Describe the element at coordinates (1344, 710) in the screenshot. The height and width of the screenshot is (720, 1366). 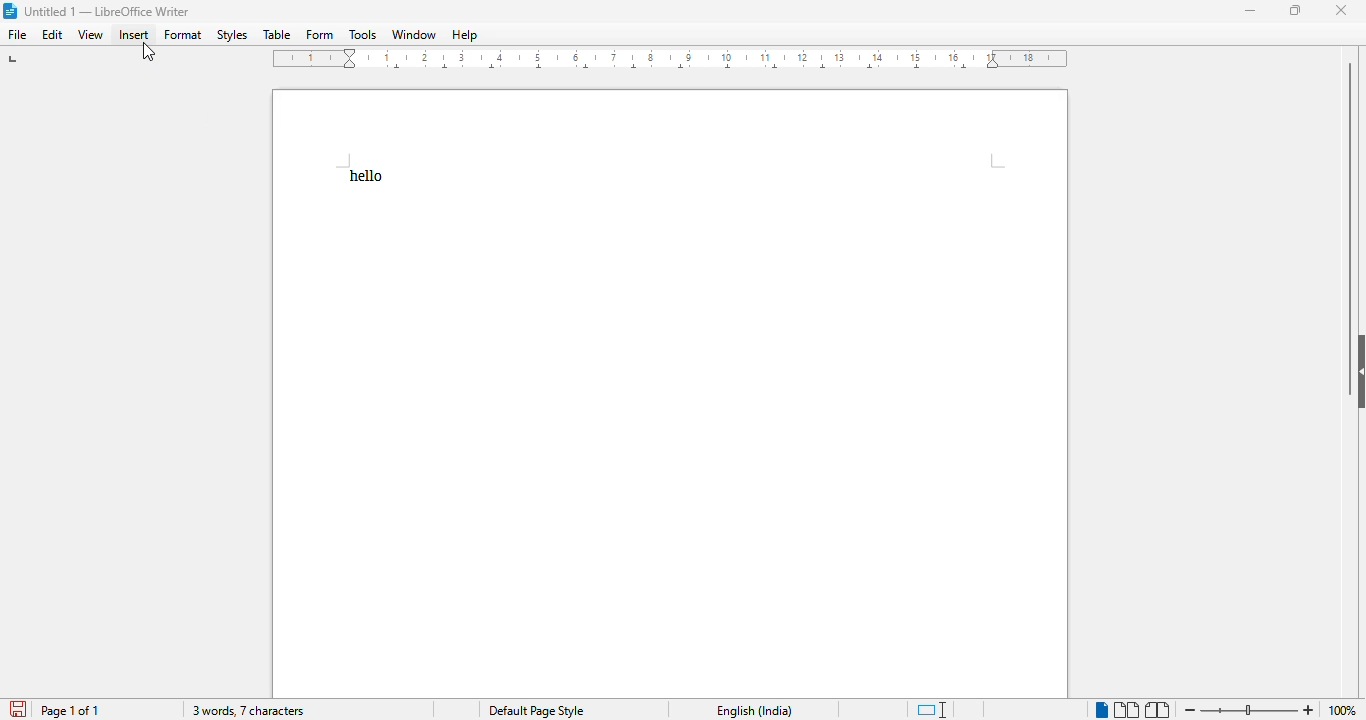
I see `zoom factor` at that location.